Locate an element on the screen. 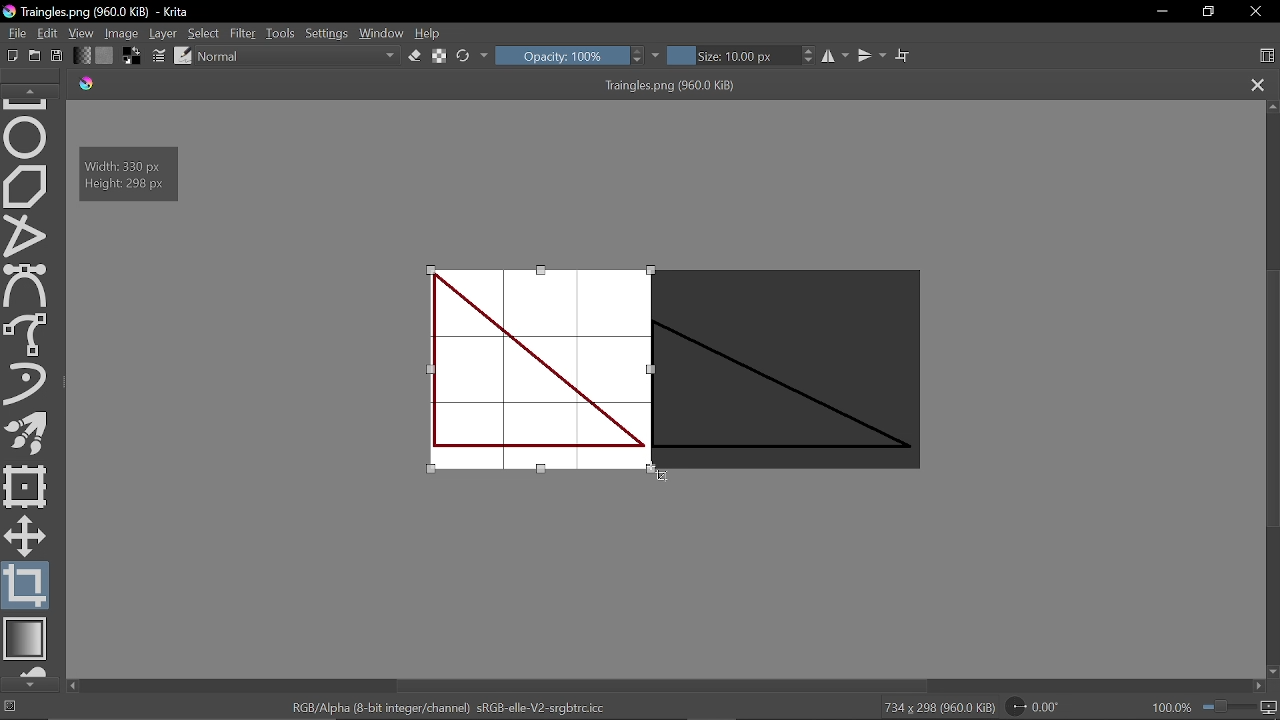 Image resolution: width=1280 pixels, height=720 pixels. Tools is located at coordinates (281, 33).